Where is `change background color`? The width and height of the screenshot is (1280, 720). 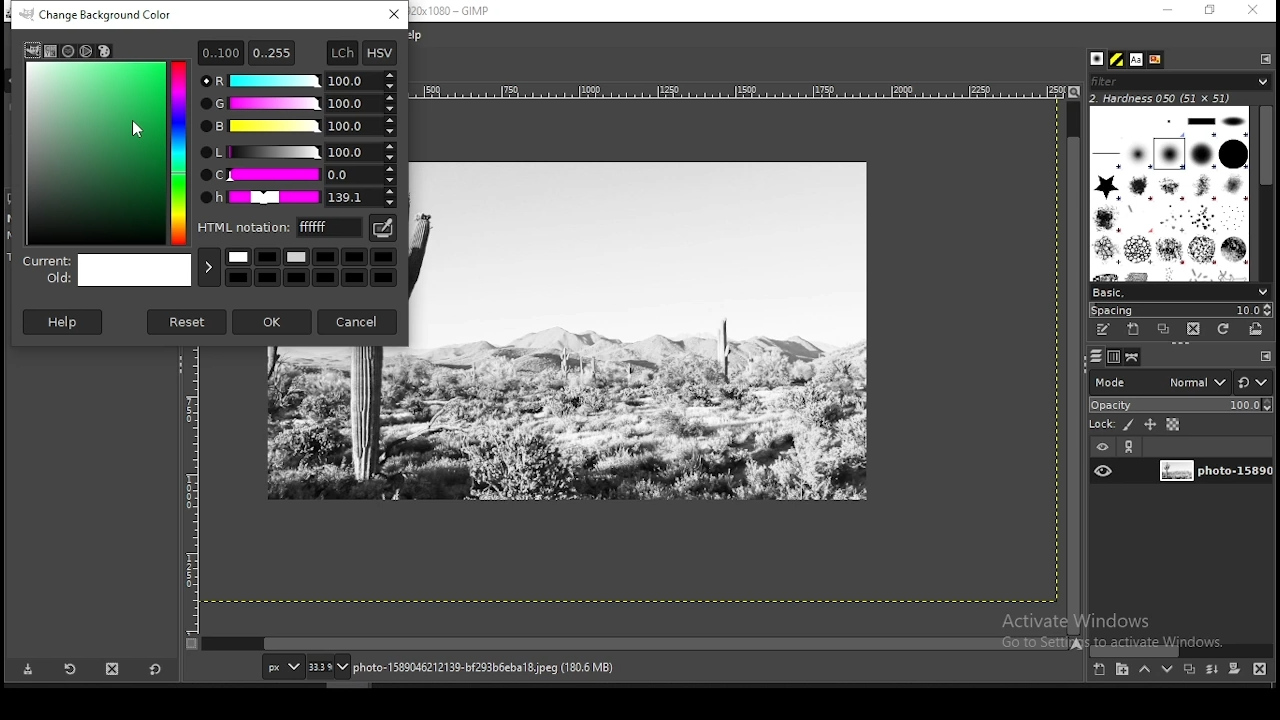
change background color is located at coordinates (102, 15).